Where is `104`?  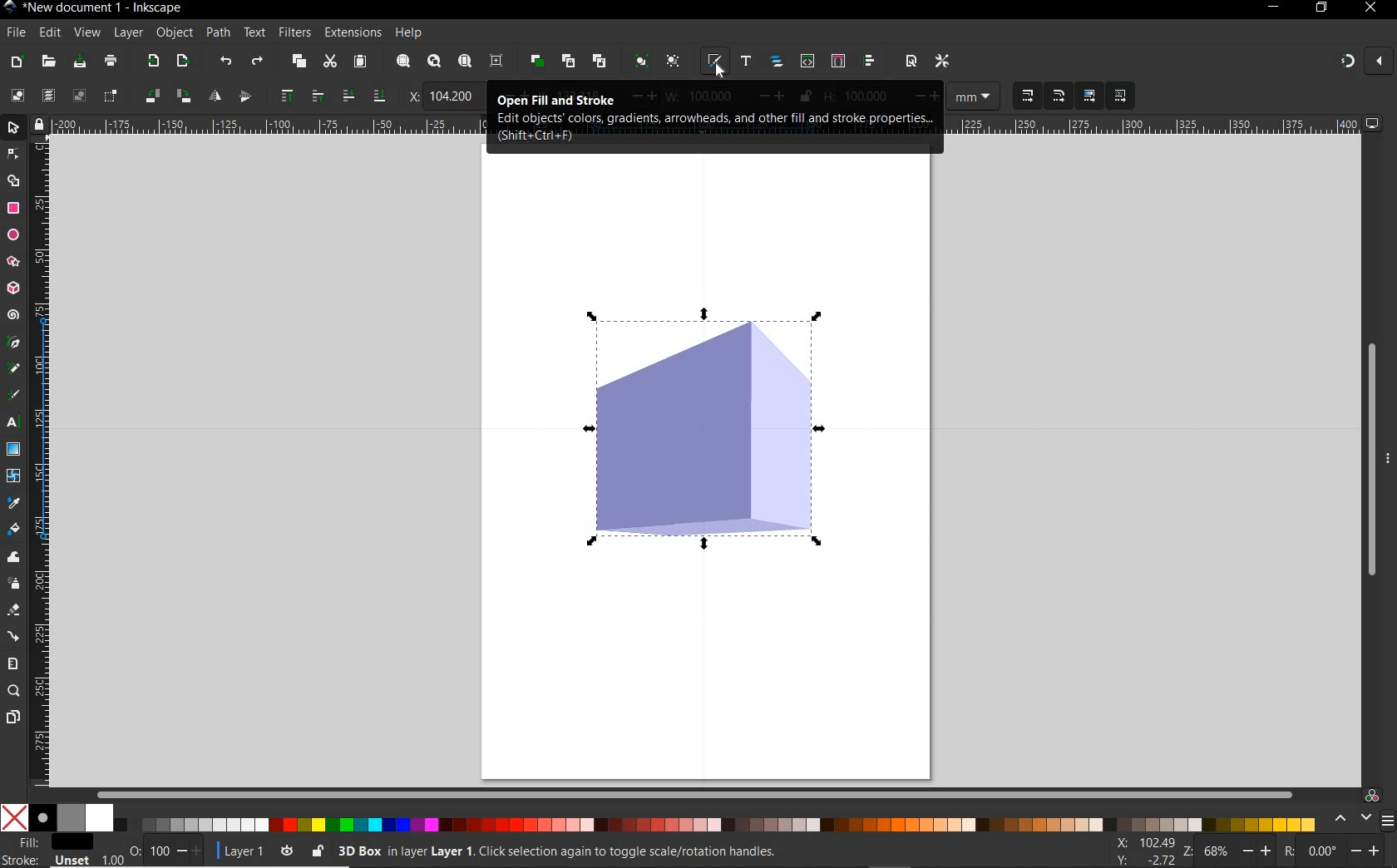 104 is located at coordinates (452, 96).